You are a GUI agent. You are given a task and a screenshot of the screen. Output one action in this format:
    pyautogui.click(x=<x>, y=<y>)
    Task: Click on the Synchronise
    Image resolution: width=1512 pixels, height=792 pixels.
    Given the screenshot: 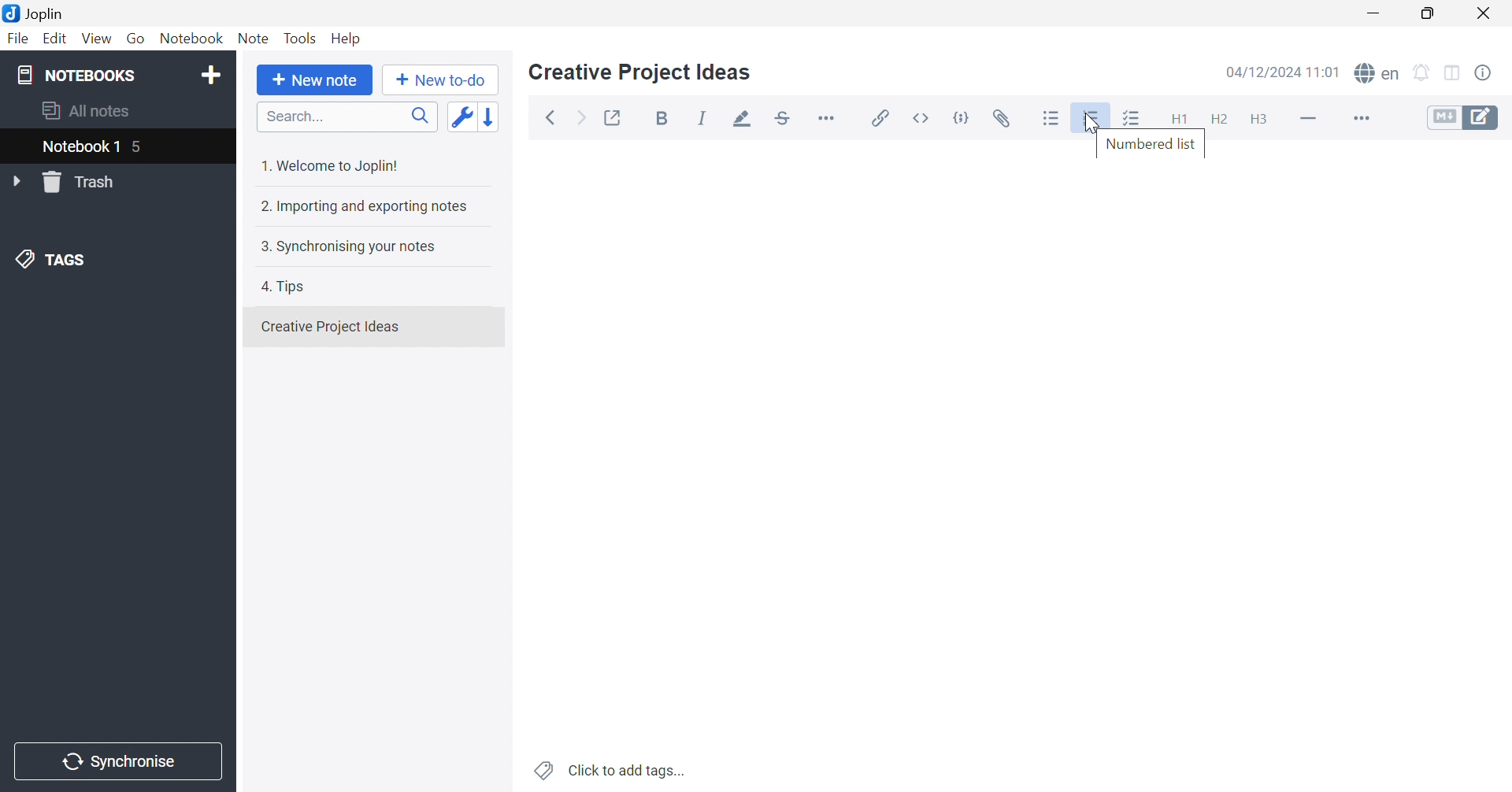 What is the action you would take?
    pyautogui.click(x=120, y=762)
    